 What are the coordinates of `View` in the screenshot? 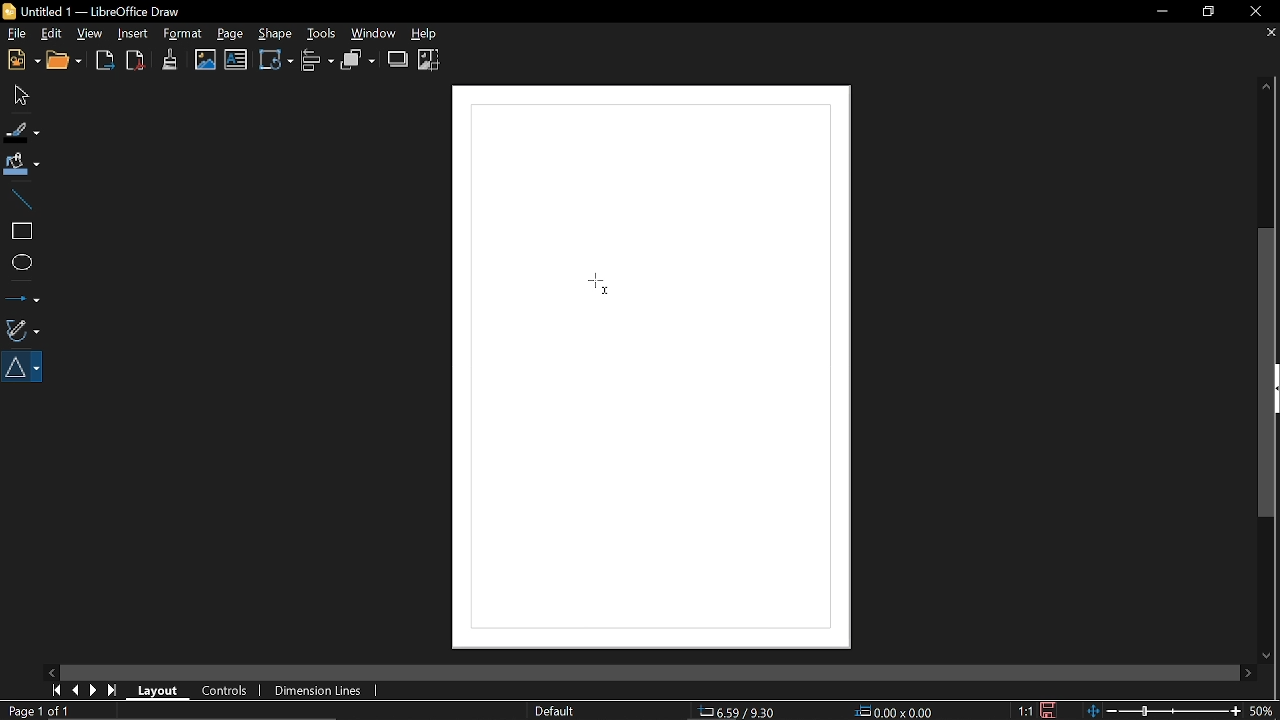 It's located at (90, 33).